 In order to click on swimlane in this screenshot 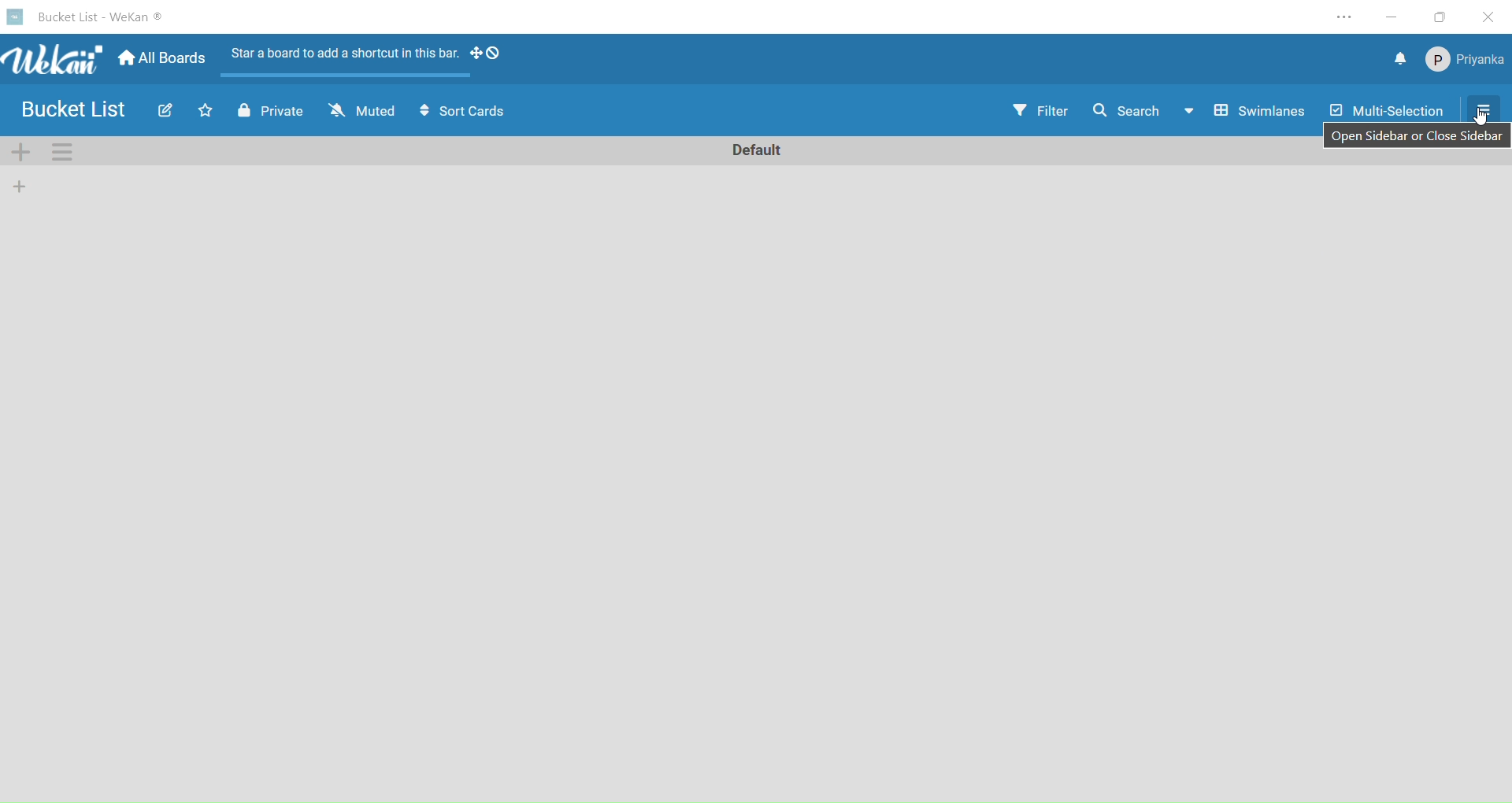, I will do `click(1243, 109)`.